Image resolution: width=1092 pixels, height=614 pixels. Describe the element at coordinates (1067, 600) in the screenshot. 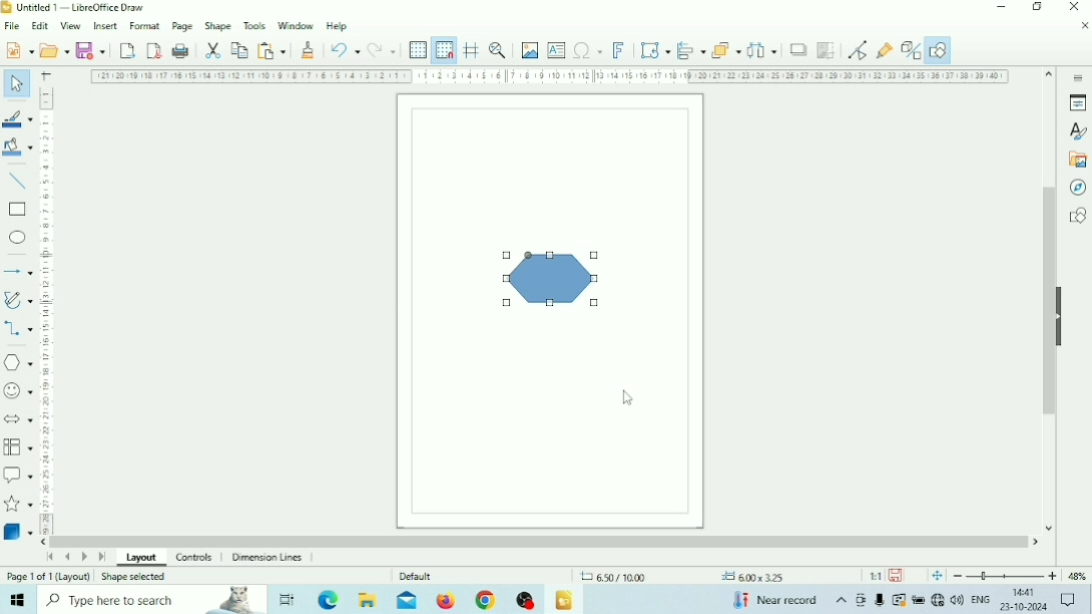

I see `Notifications` at that location.